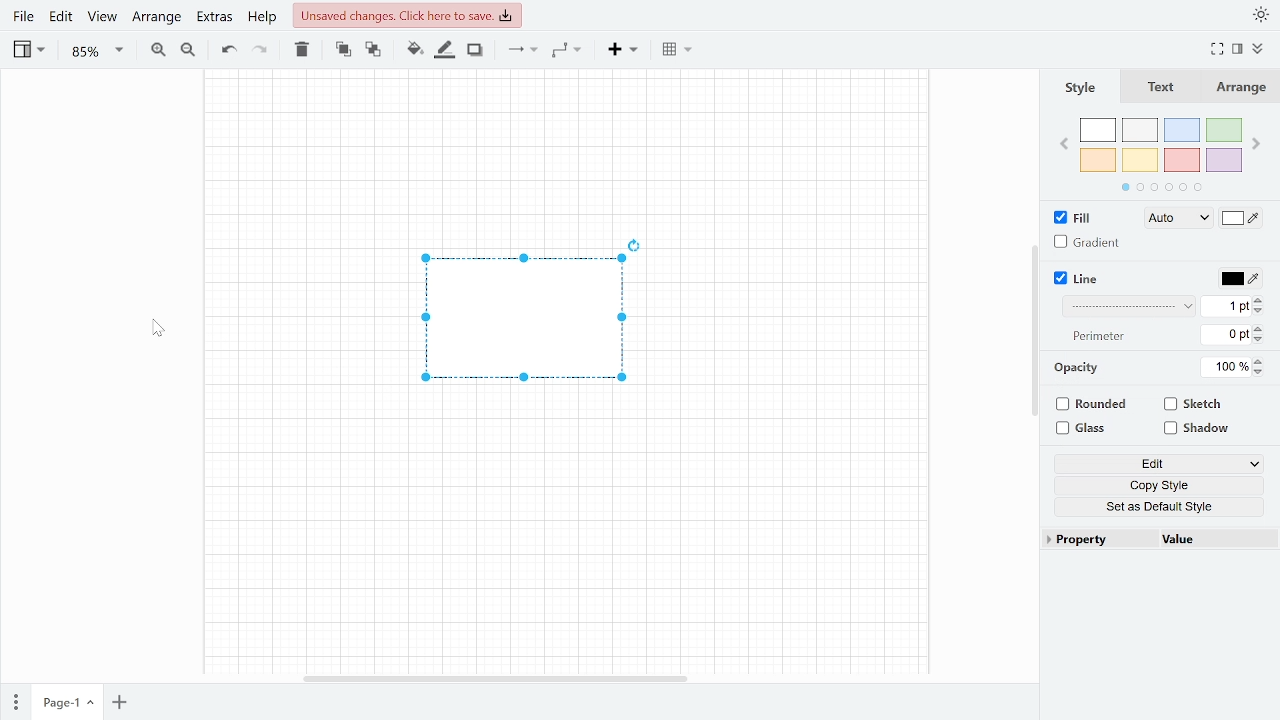  Describe the element at coordinates (1092, 405) in the screenshot. I see `Rounded` at that location.